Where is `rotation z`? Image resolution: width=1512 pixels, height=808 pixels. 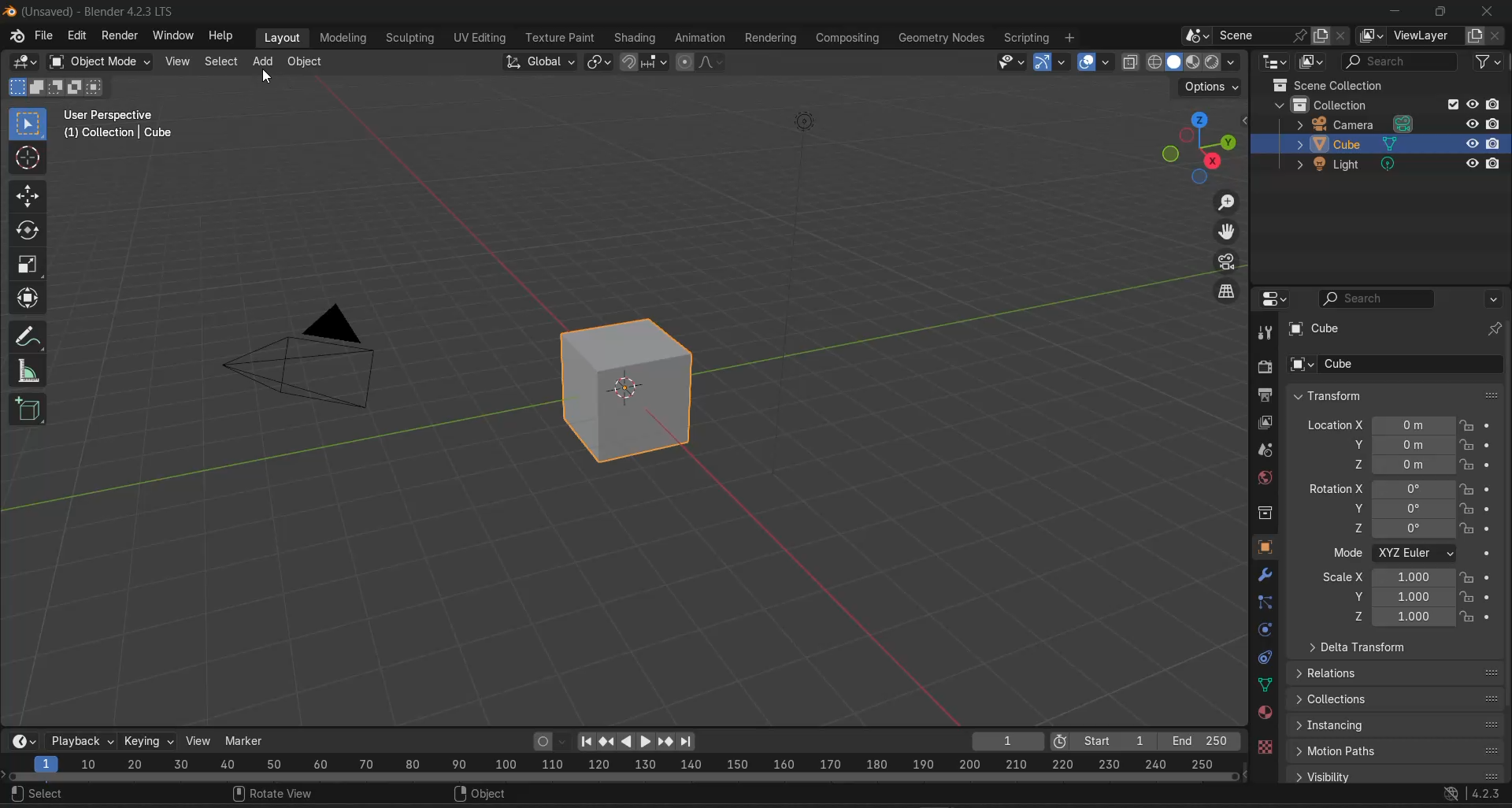 rotation z is located at coordinates (1404, 528).